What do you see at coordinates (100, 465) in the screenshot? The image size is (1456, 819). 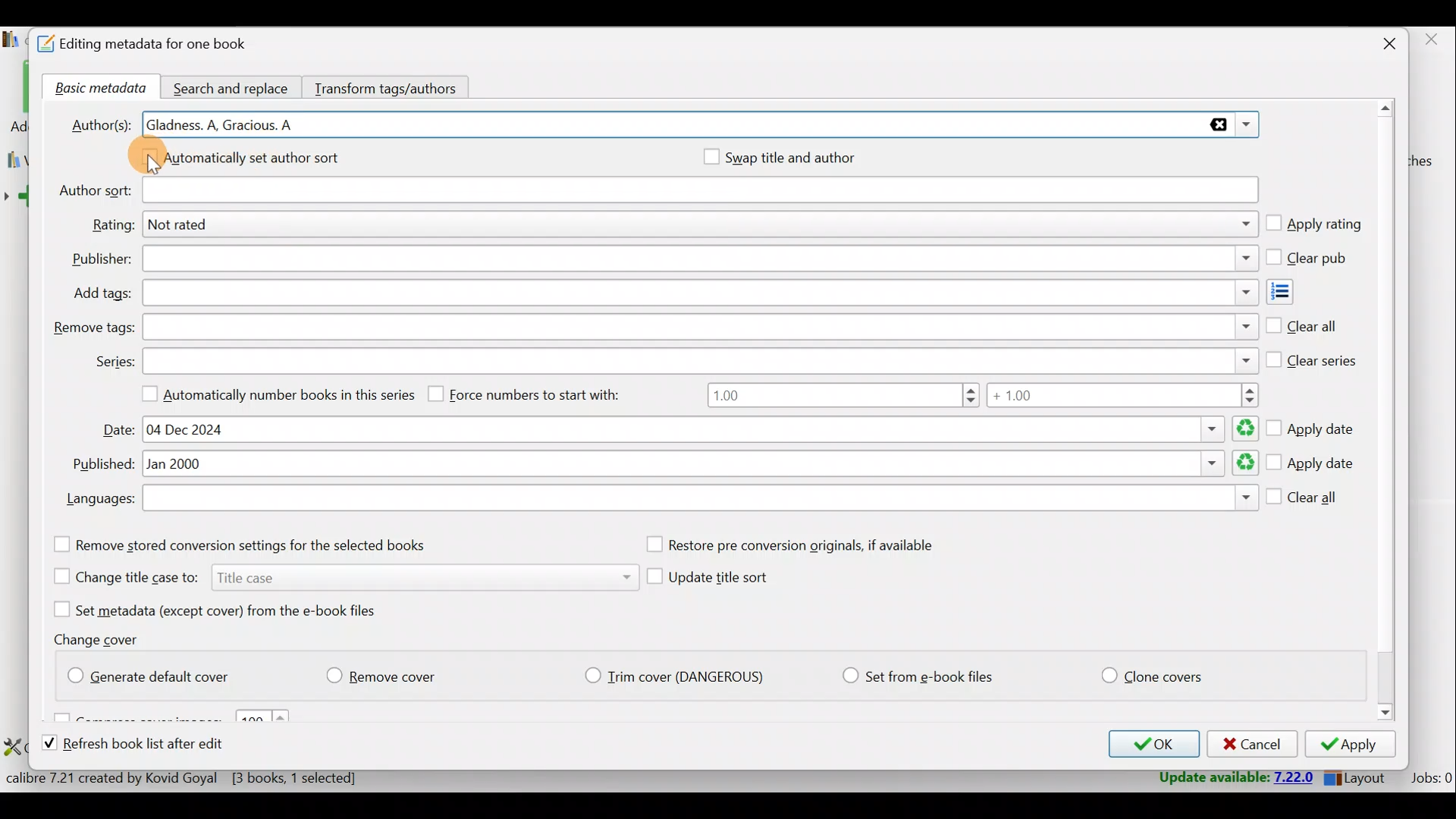 I see `Published:` at bounding box center [100, 465].